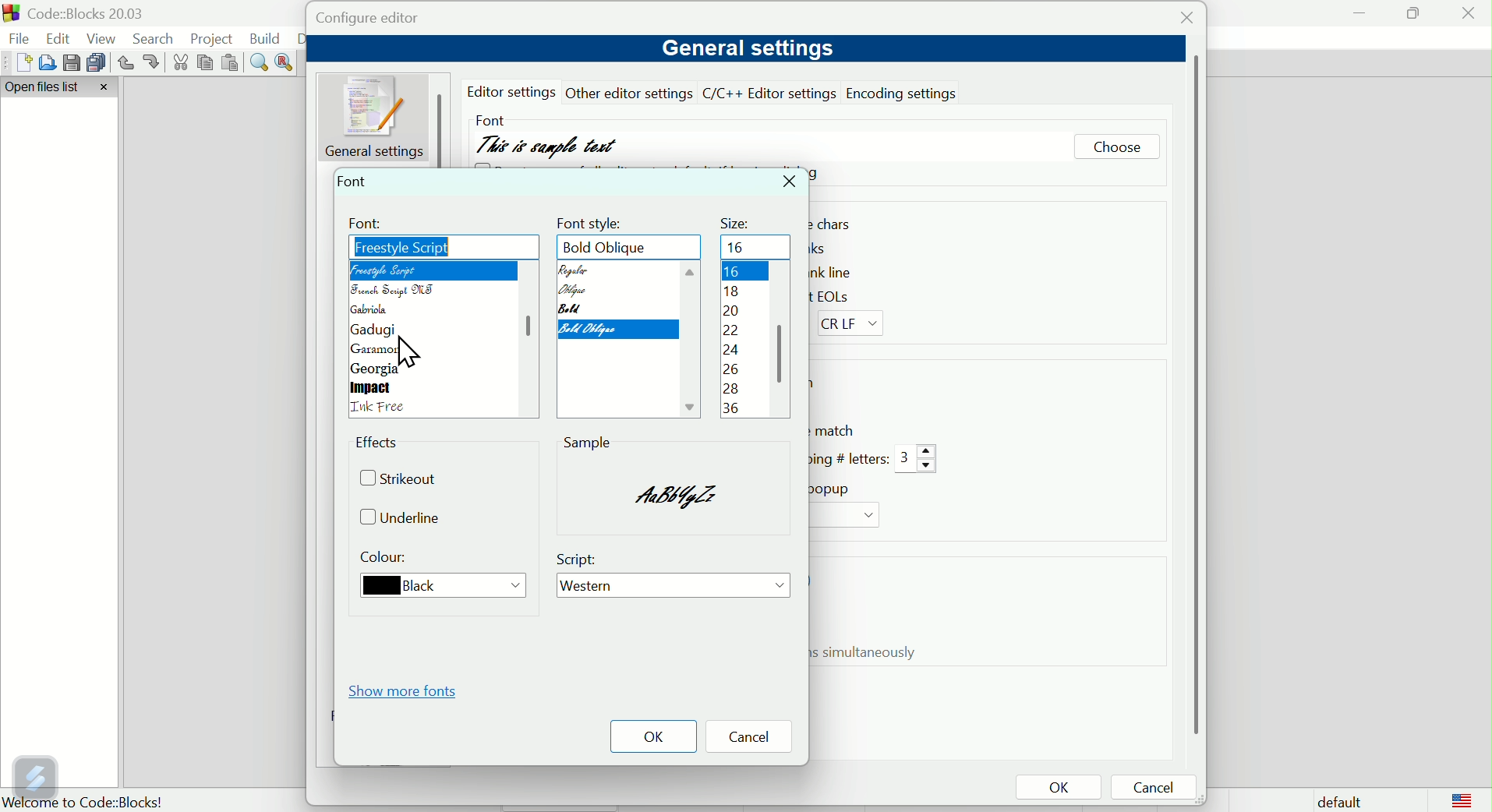  Describe the element at coordinates (182, 63) in the screenshot. I see `cut` at that location.